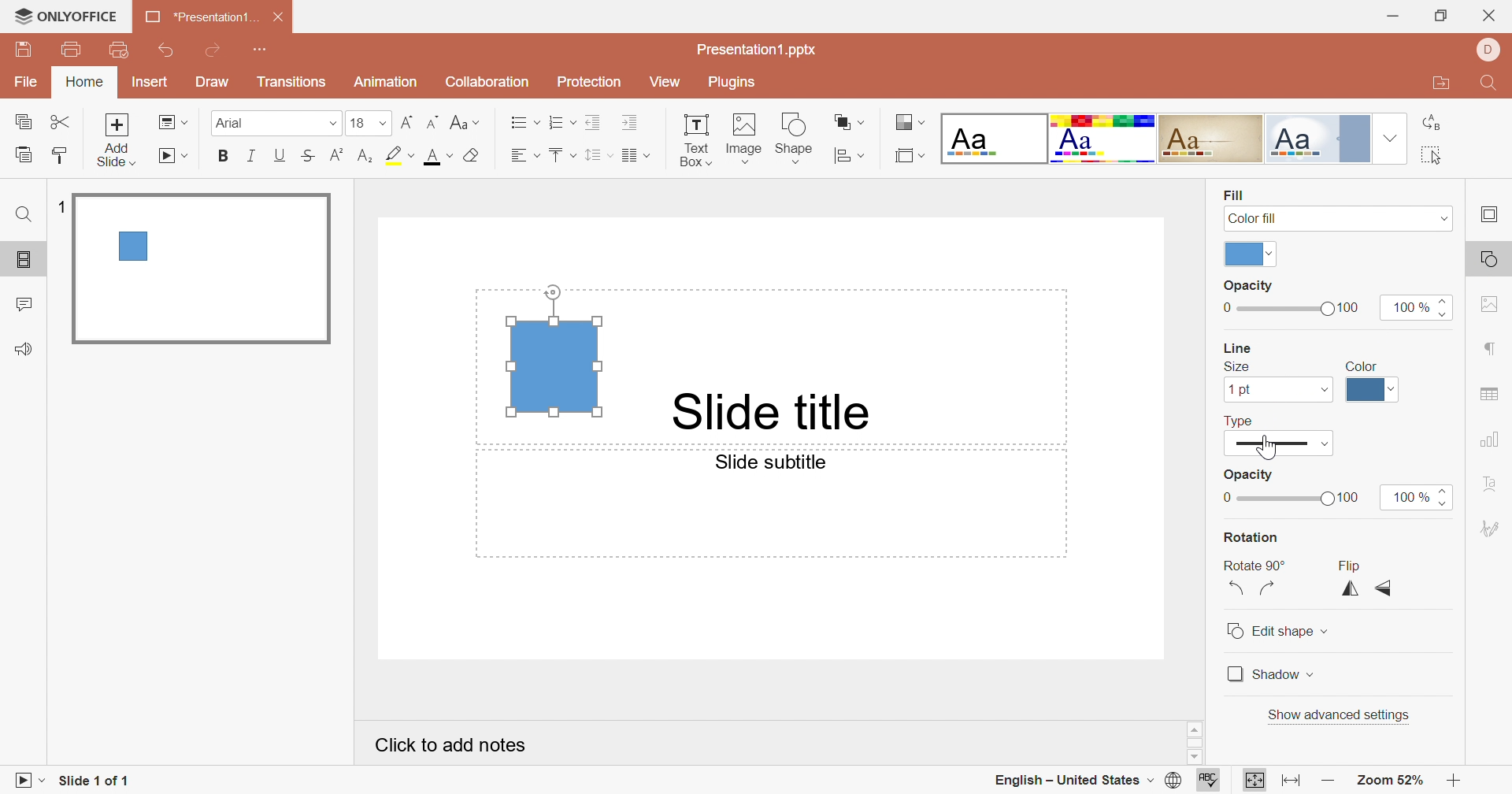 Image resolution: width=1512 pixels, height=794 pixels. Describe the element at coordinates (28, 303) in the screenshot. I see `comments` at that location.